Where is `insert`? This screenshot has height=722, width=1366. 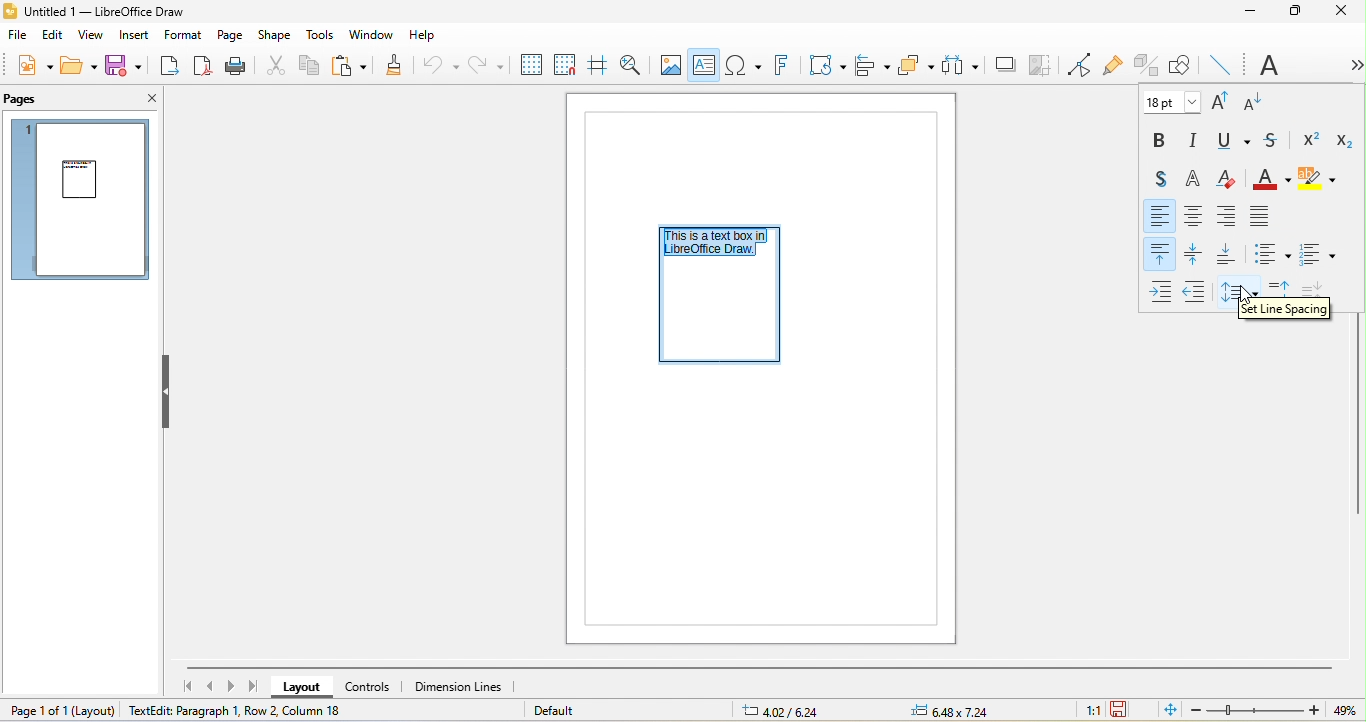 insert is located at coordinates (137, 37).